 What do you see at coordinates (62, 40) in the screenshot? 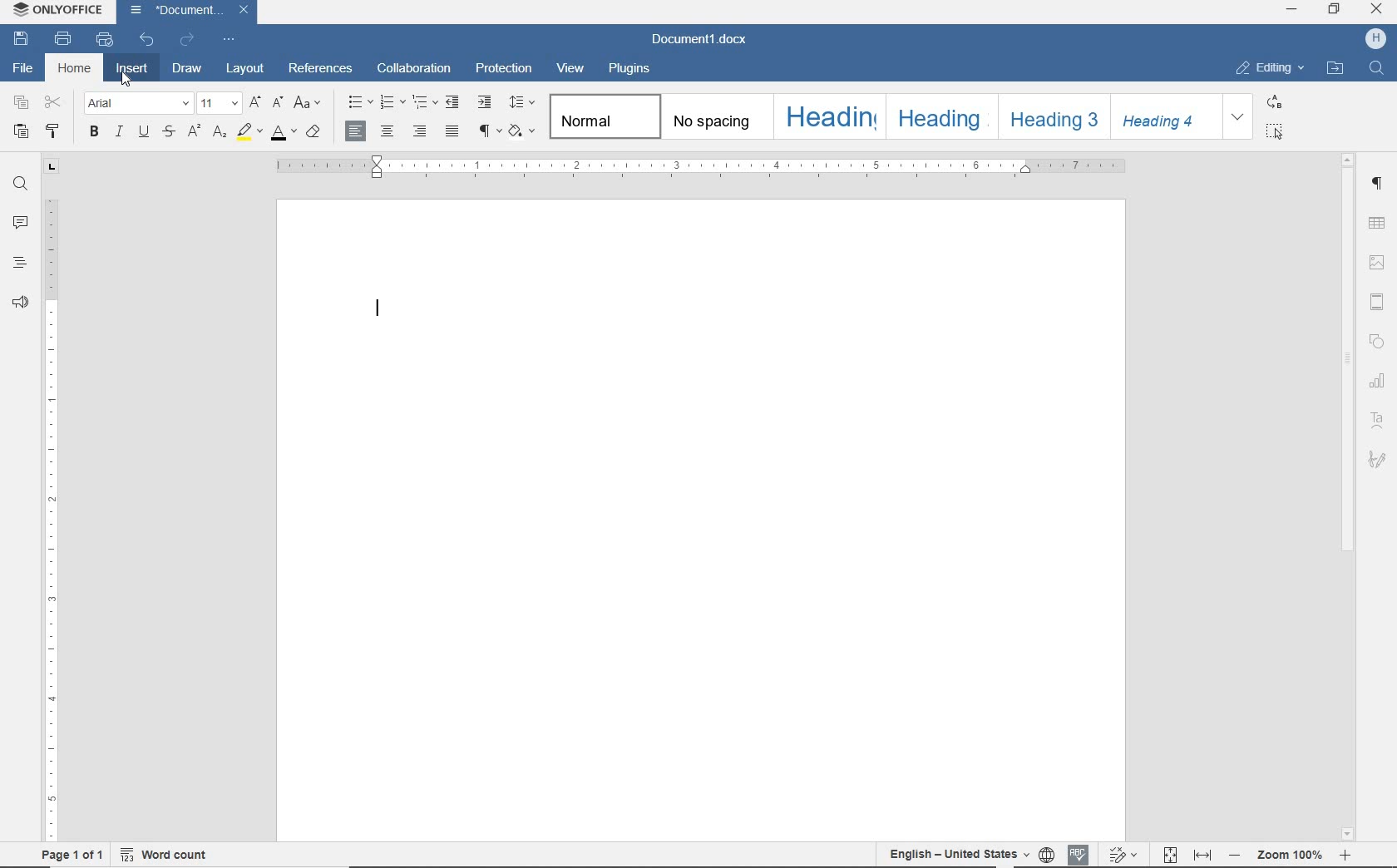
I see `print` at bounding box center [62, 40].